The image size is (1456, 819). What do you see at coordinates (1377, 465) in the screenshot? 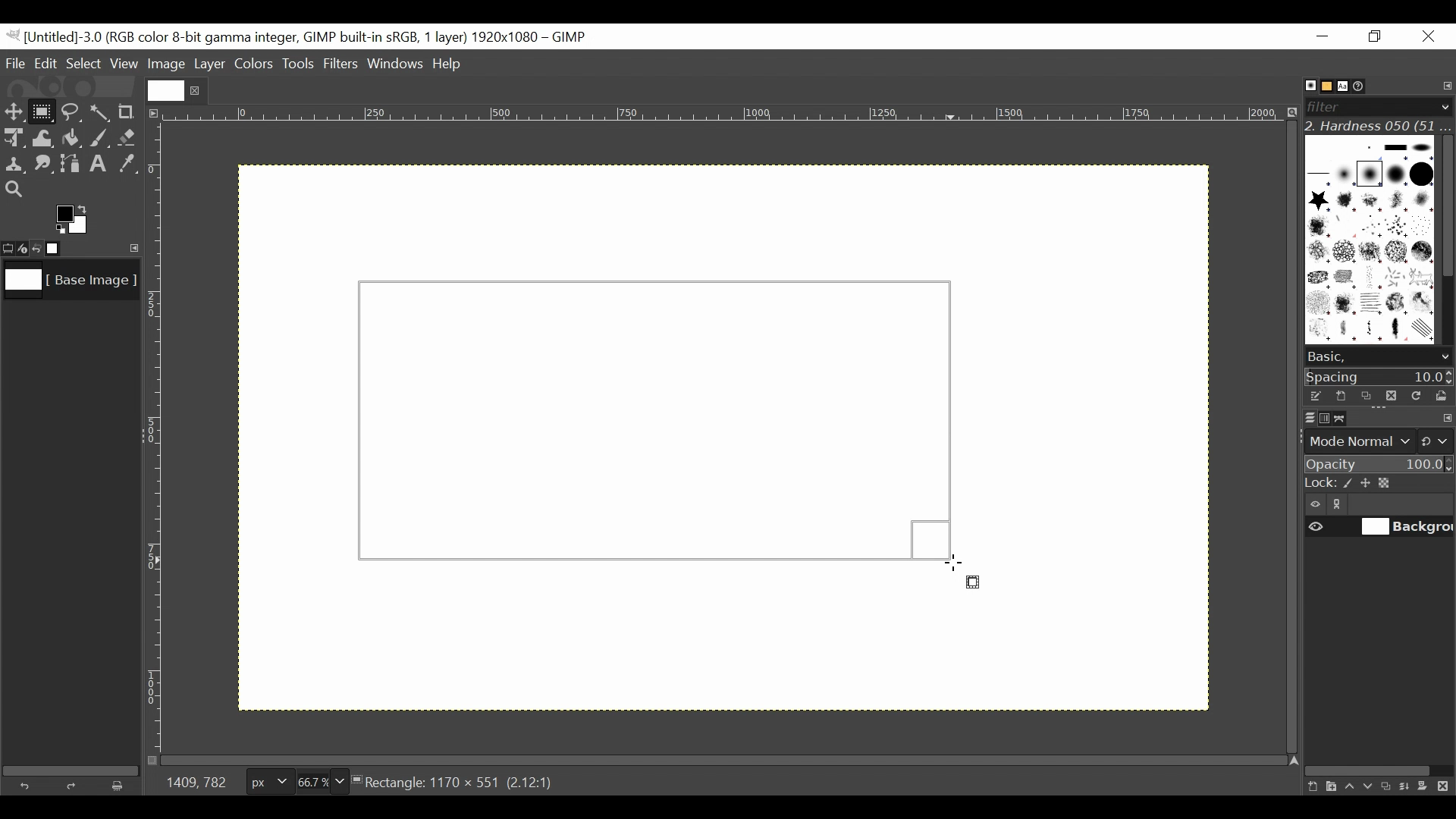
I see `Opacity` at bounding box center [1377, 465].